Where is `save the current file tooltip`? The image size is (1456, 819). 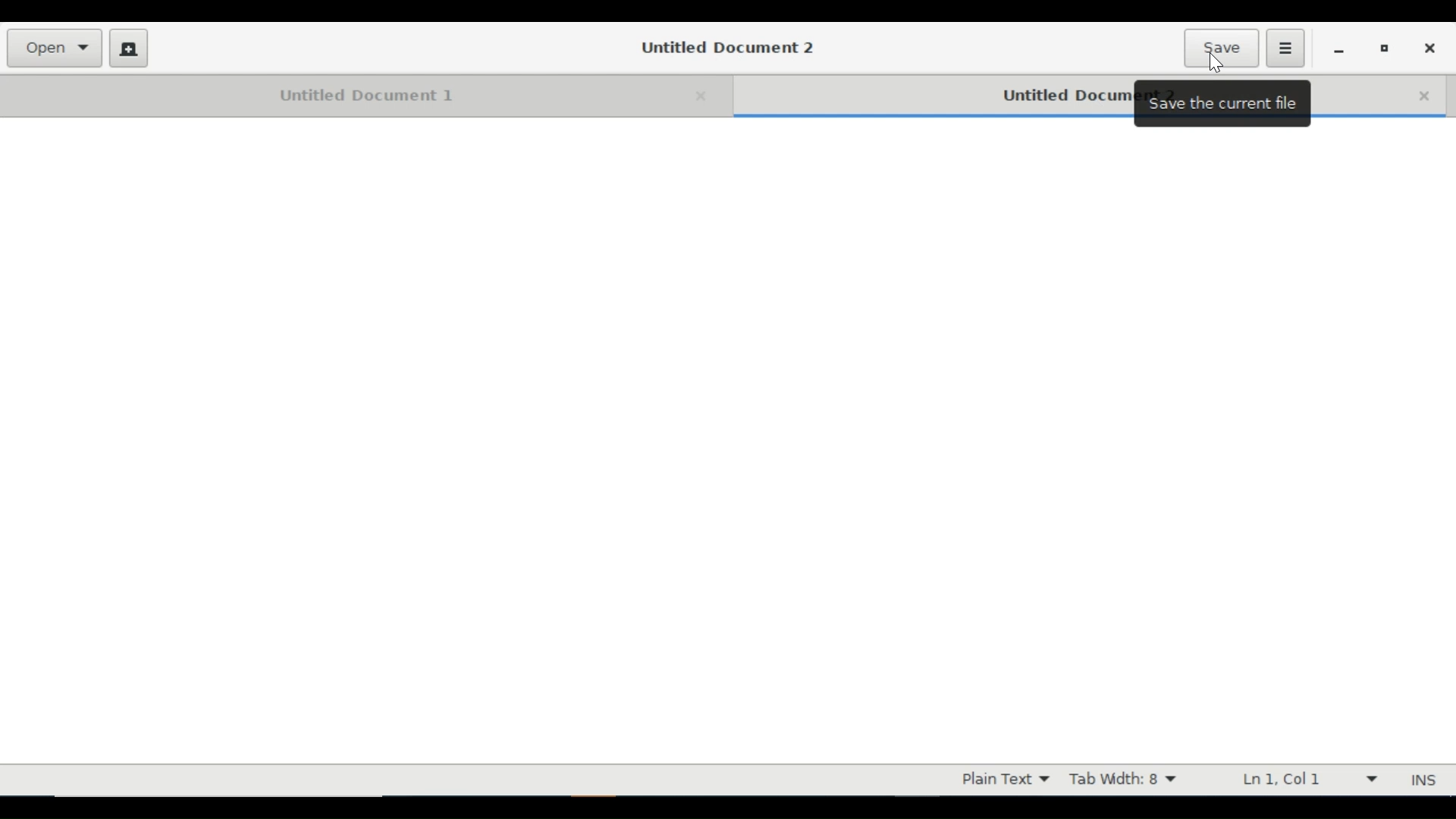
save the current file tooltip is located at coordinates (1225, 104).